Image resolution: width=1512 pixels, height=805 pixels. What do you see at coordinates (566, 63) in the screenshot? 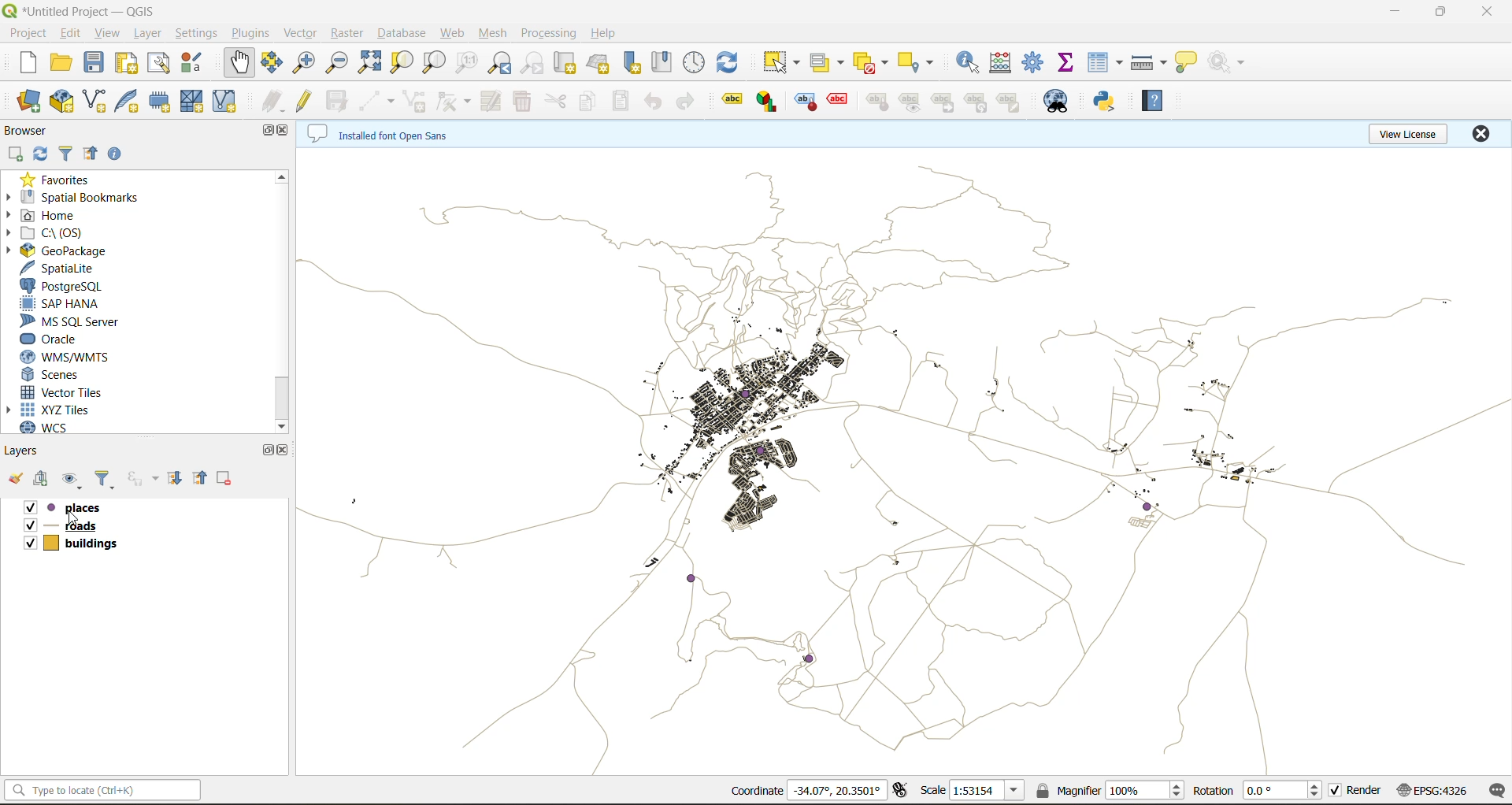
I see `new map view` at bounding box center [566, 63].